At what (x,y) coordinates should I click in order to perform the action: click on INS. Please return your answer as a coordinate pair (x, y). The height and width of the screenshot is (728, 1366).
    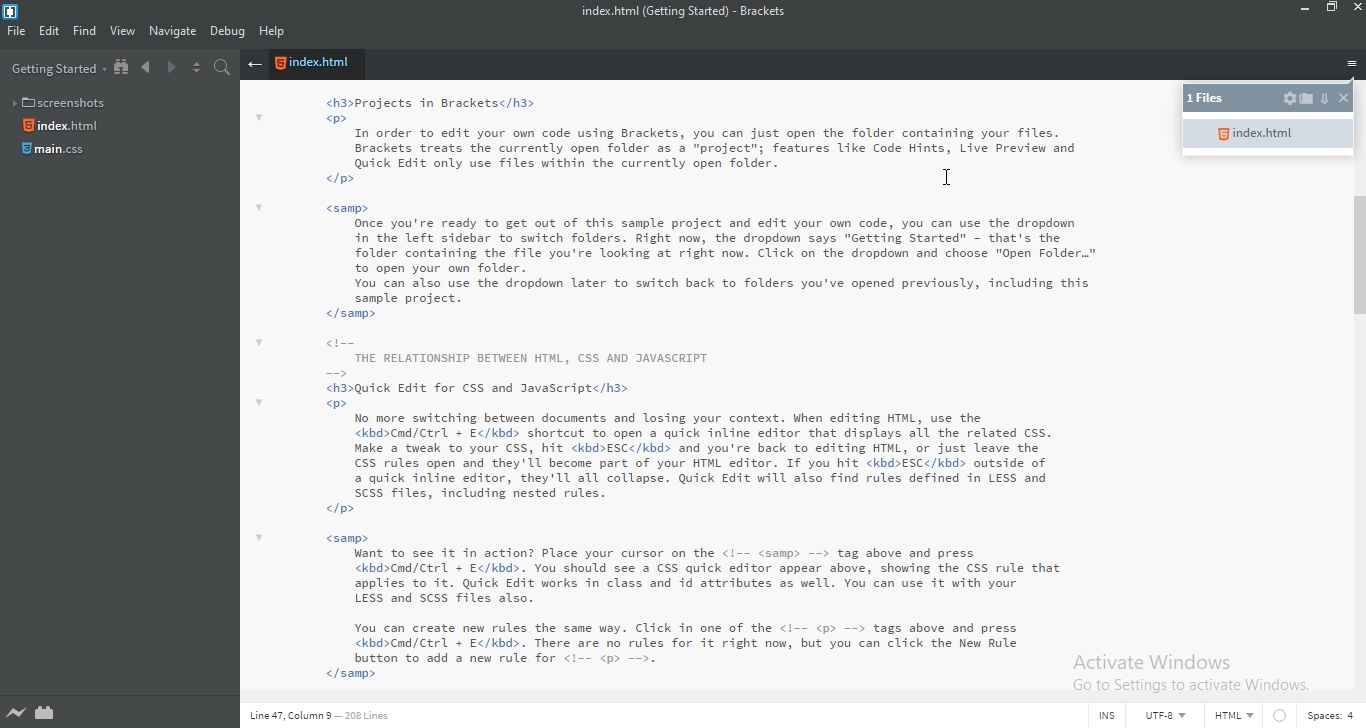
    Looking at the image, I should click on (1104, 717).